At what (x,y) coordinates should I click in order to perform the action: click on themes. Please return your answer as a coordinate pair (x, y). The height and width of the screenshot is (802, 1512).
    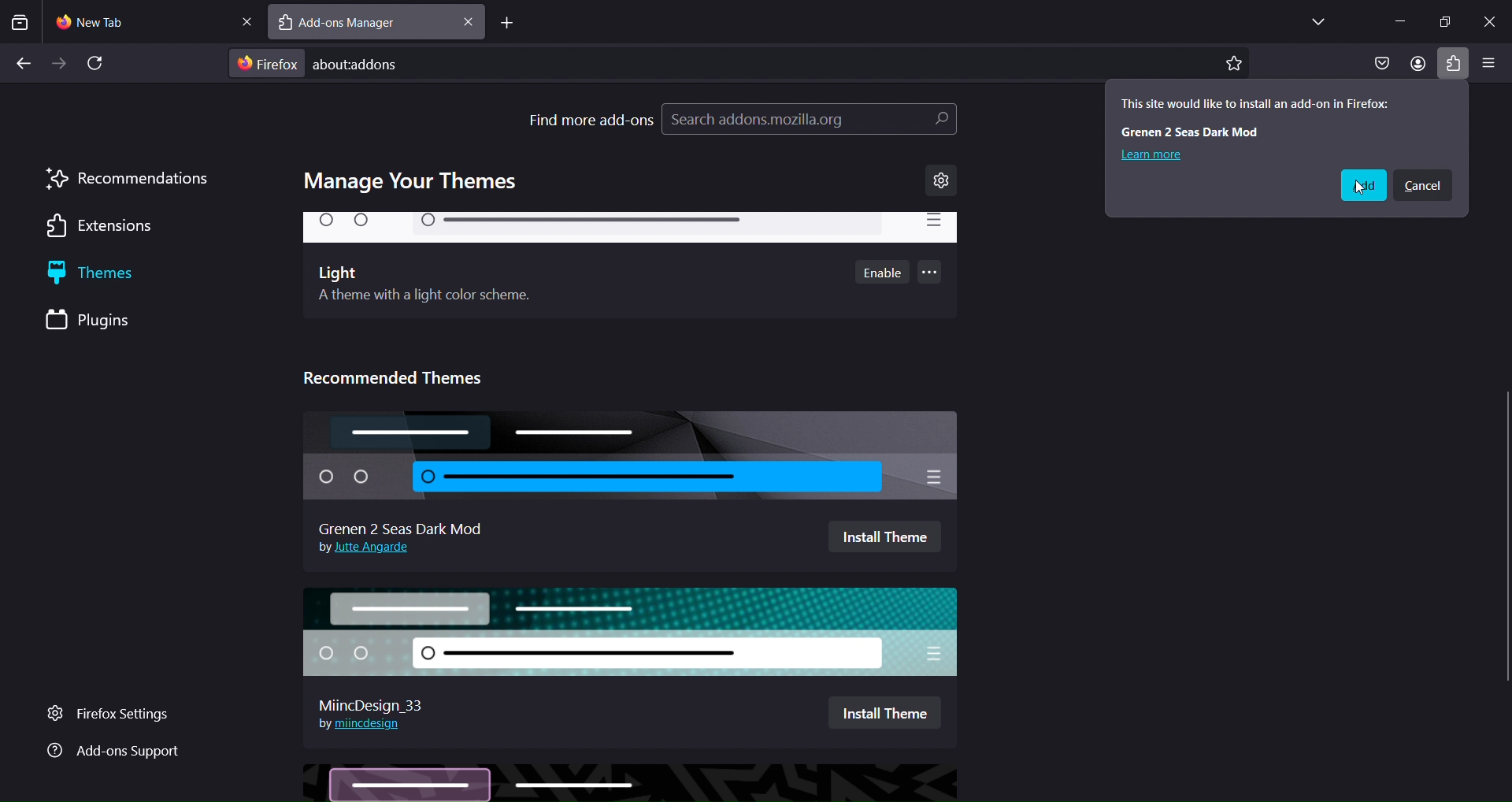
    Looking at the image, I should click on (112, 275).